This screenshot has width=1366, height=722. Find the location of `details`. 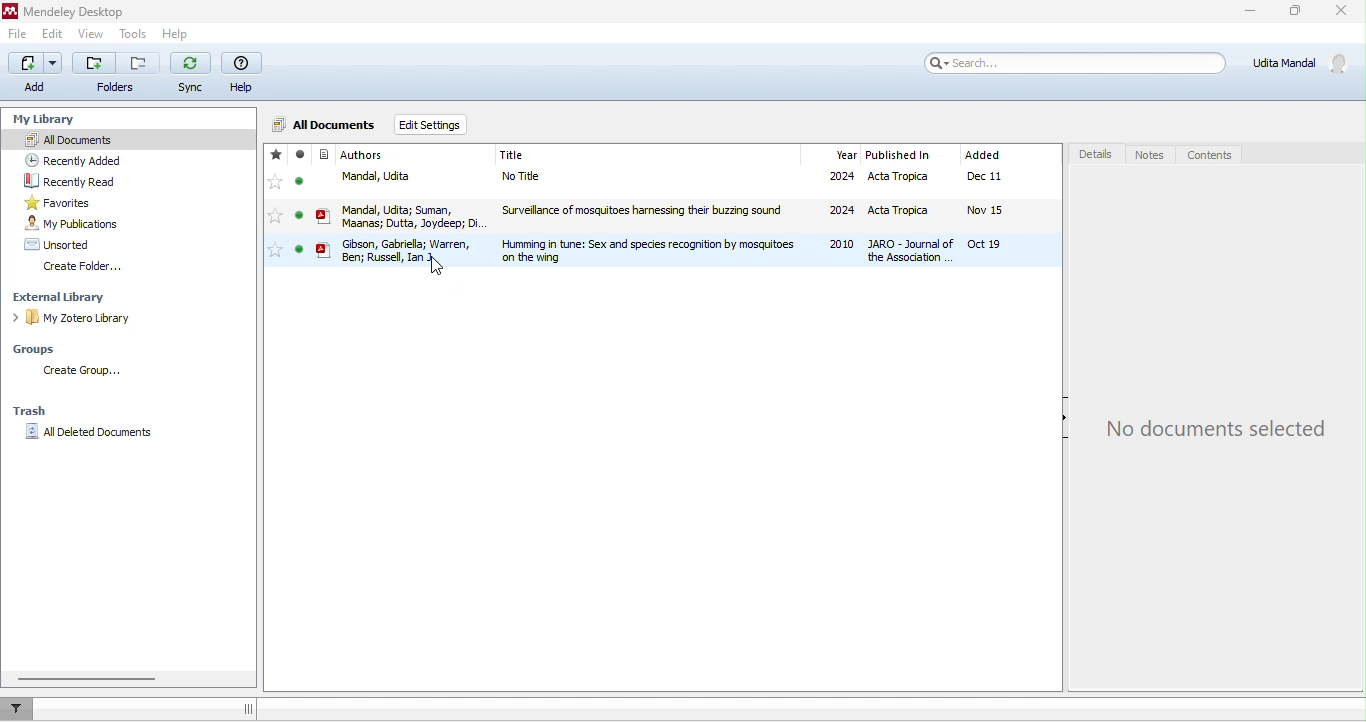

details is located at coordinates (1092, 154).